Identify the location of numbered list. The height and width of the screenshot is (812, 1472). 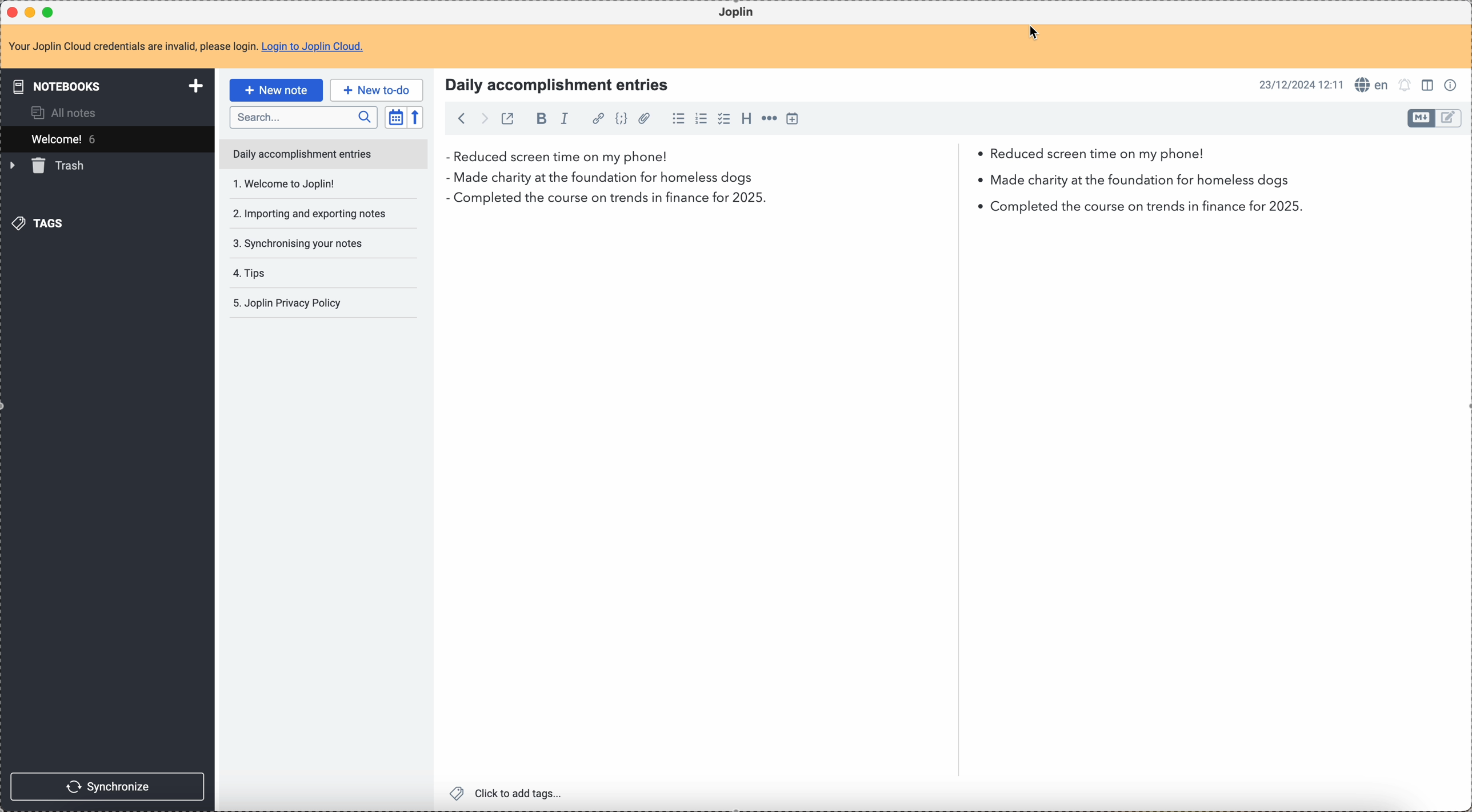
(701, 120).